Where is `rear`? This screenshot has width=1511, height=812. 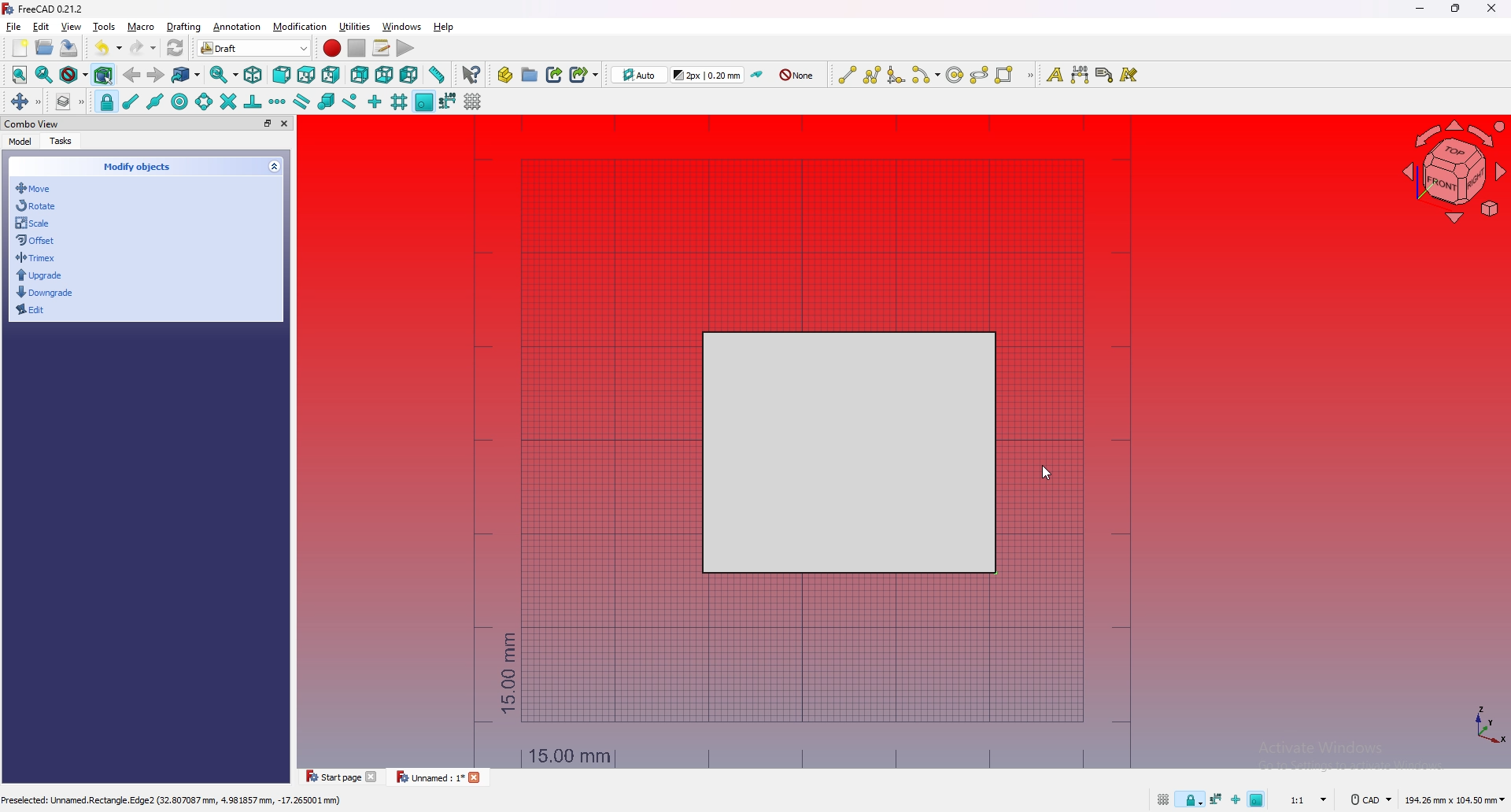
rear is located at coordinates (360, 76).